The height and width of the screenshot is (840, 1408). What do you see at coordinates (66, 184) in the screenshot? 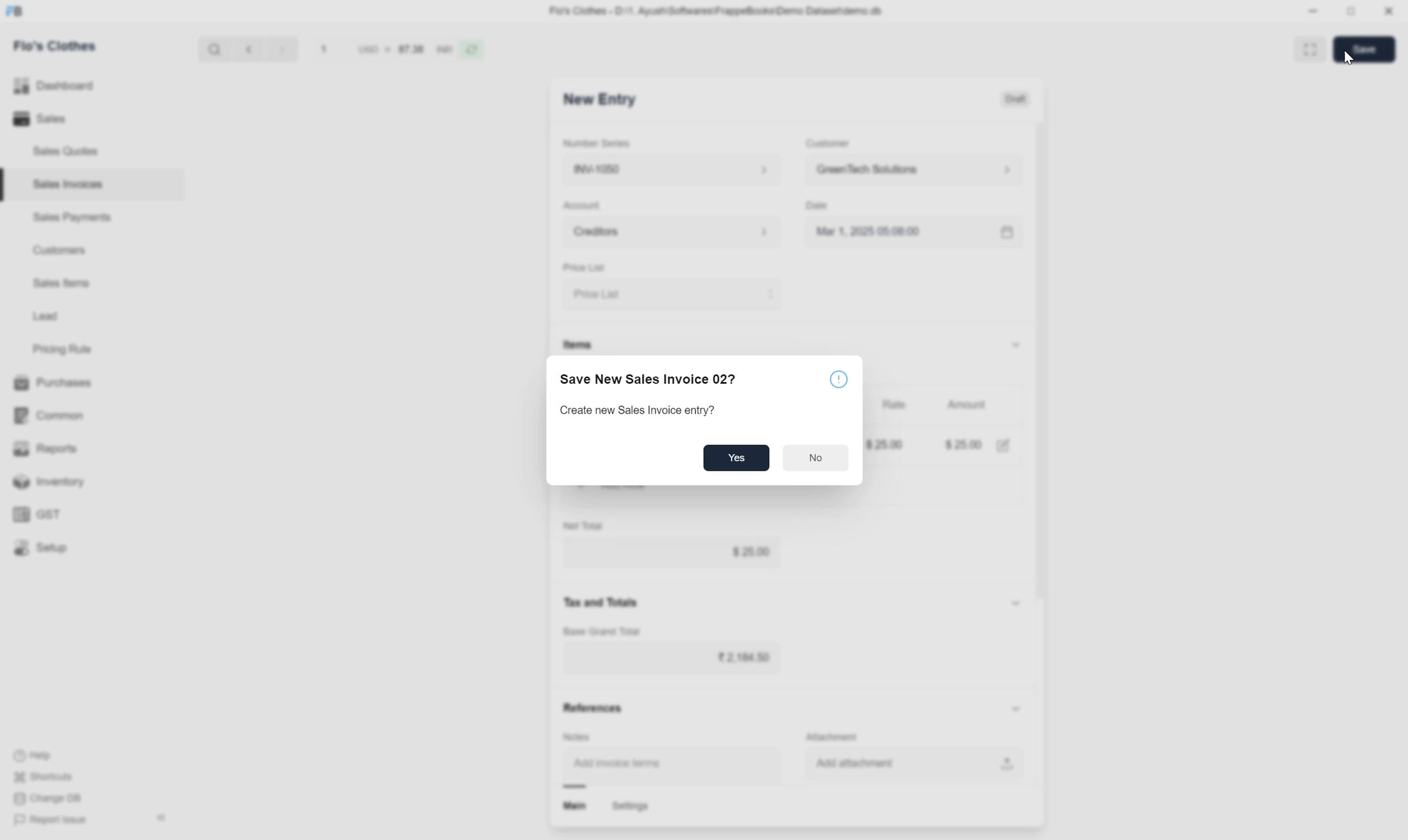
I see `Sales Invoices` at bounding box center [66, 184].